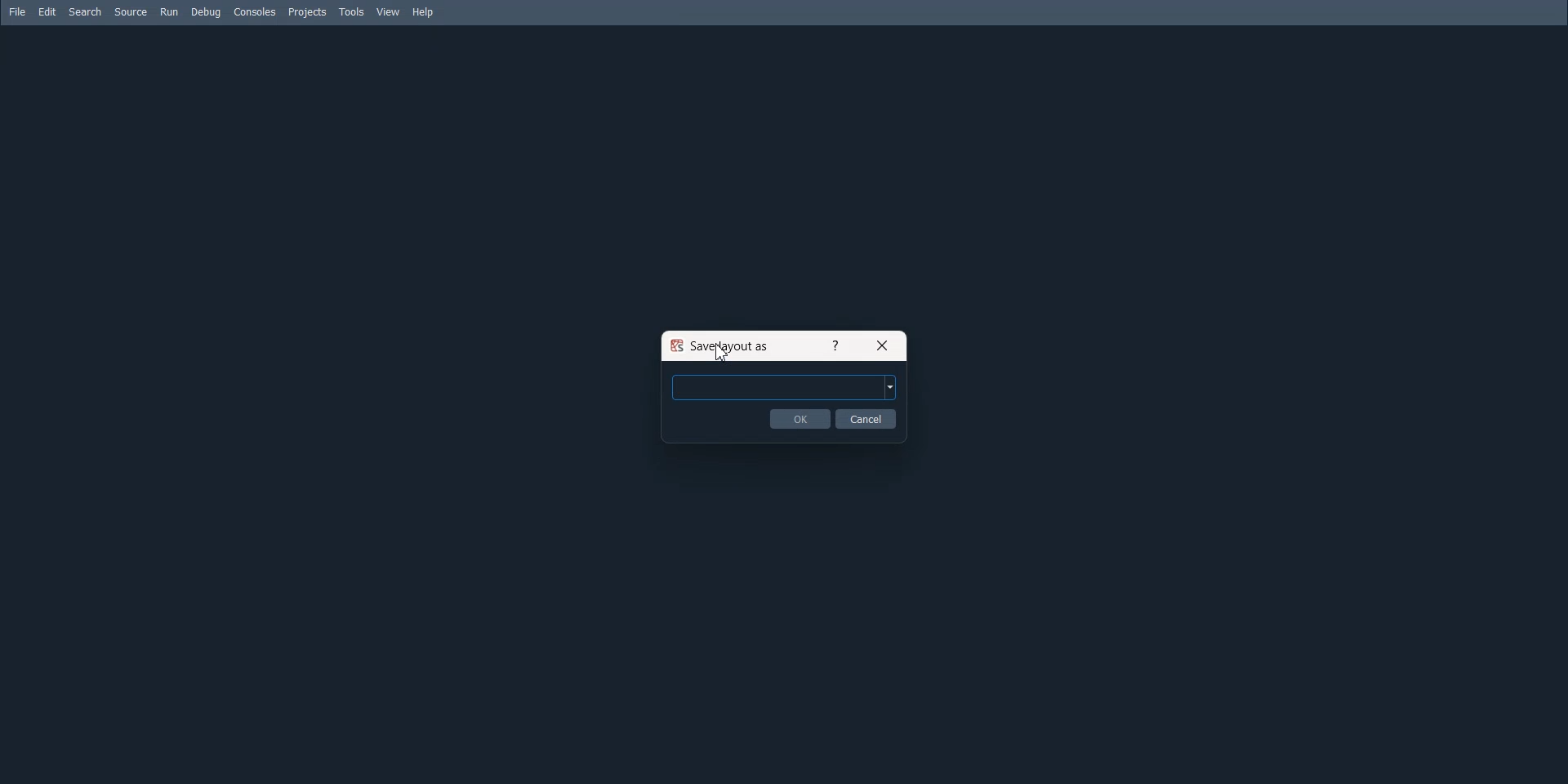 This screenshot has height=784, width=1568. Describe the element at coordinates (834, 345) in the screenshot. I see `Get Help` at that location.